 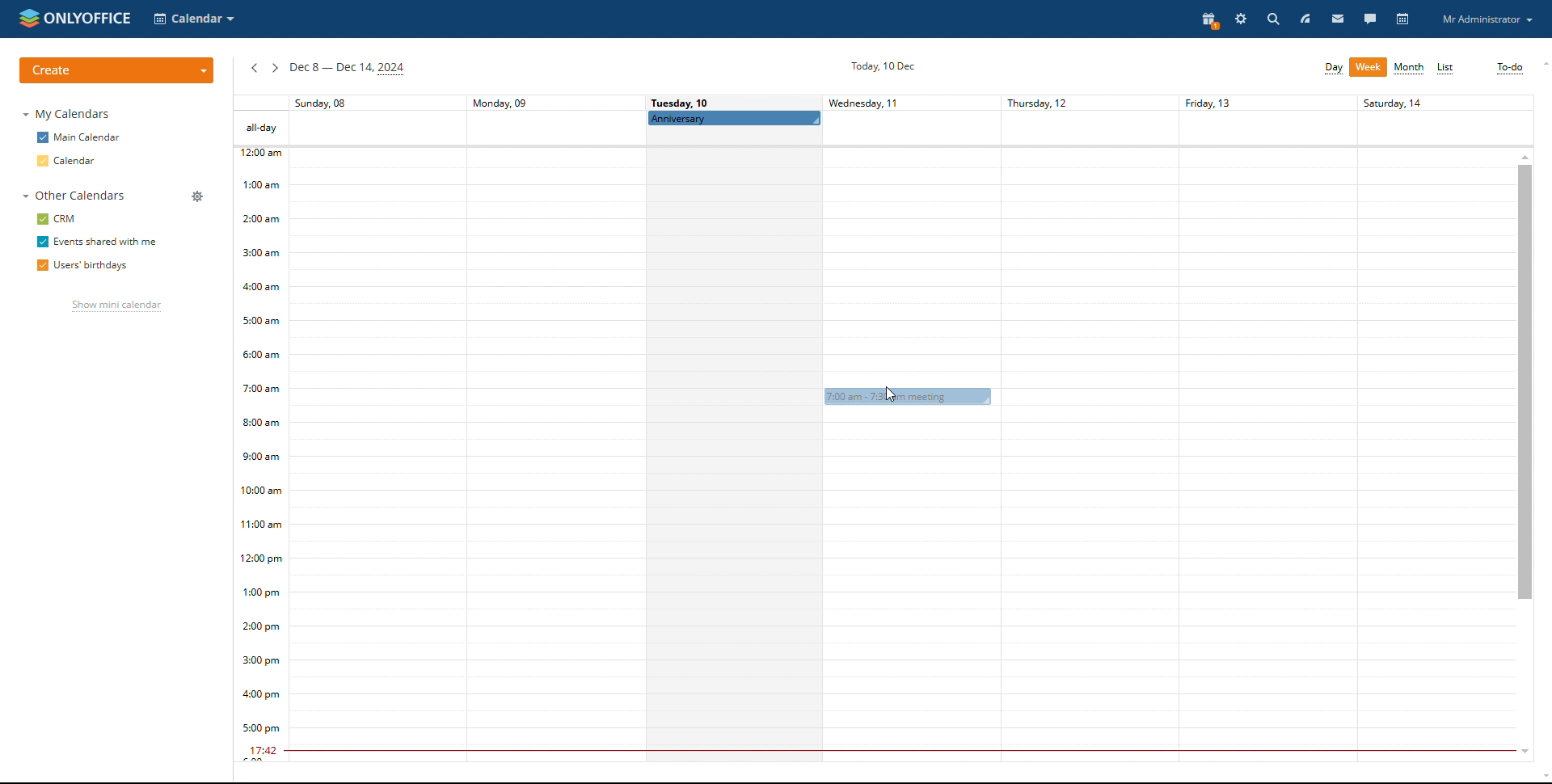 What do you see at coordinates (116, 307) in the screenshot?
I see `show mini calendar` at bounding box center [116, 307].